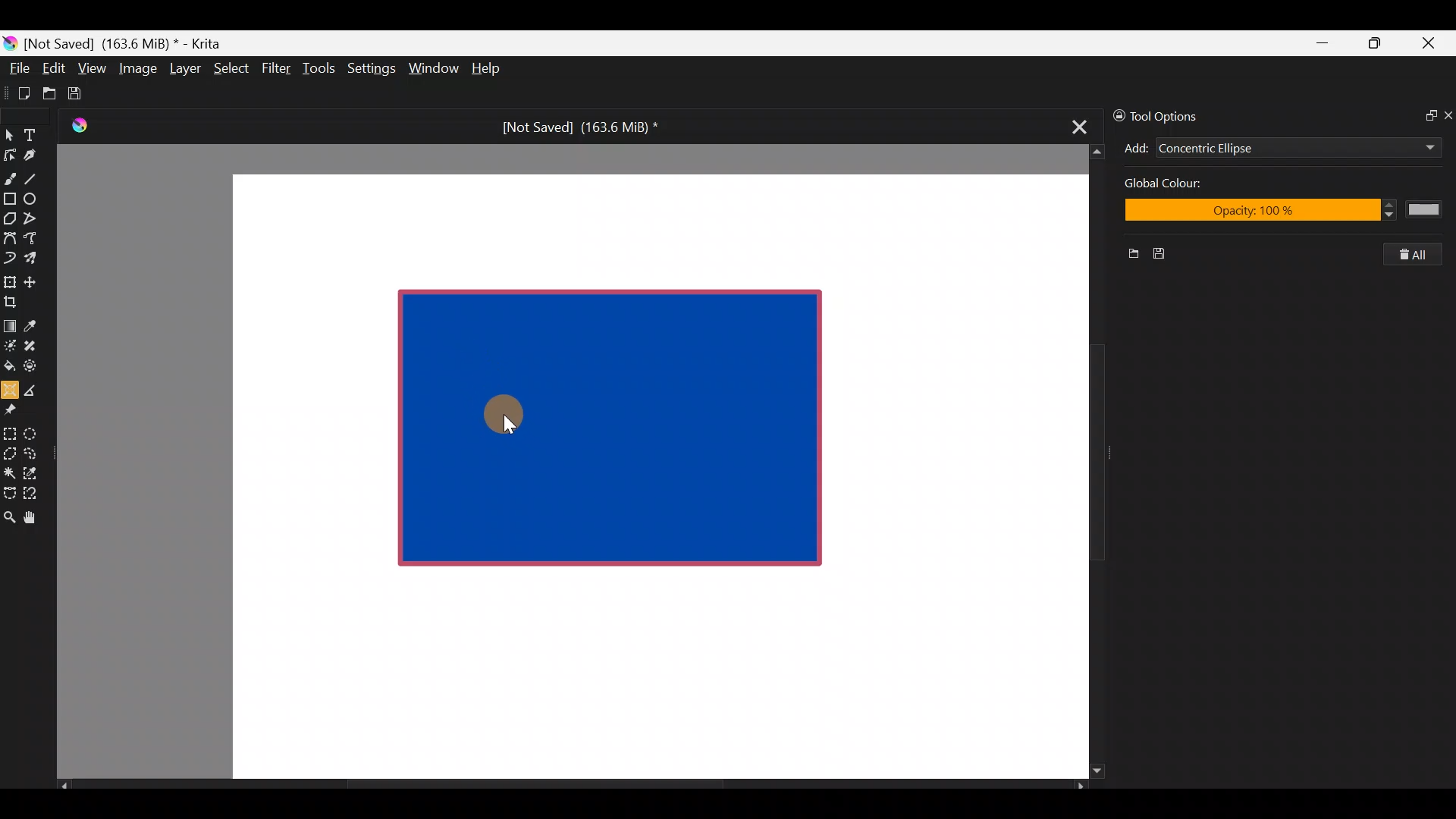 This screenshot has height=819, width=1456. What do you see at coordinates (9, 240) in the screenshot?
I see `Bezier curve tool` at bounding box center [9, 240].